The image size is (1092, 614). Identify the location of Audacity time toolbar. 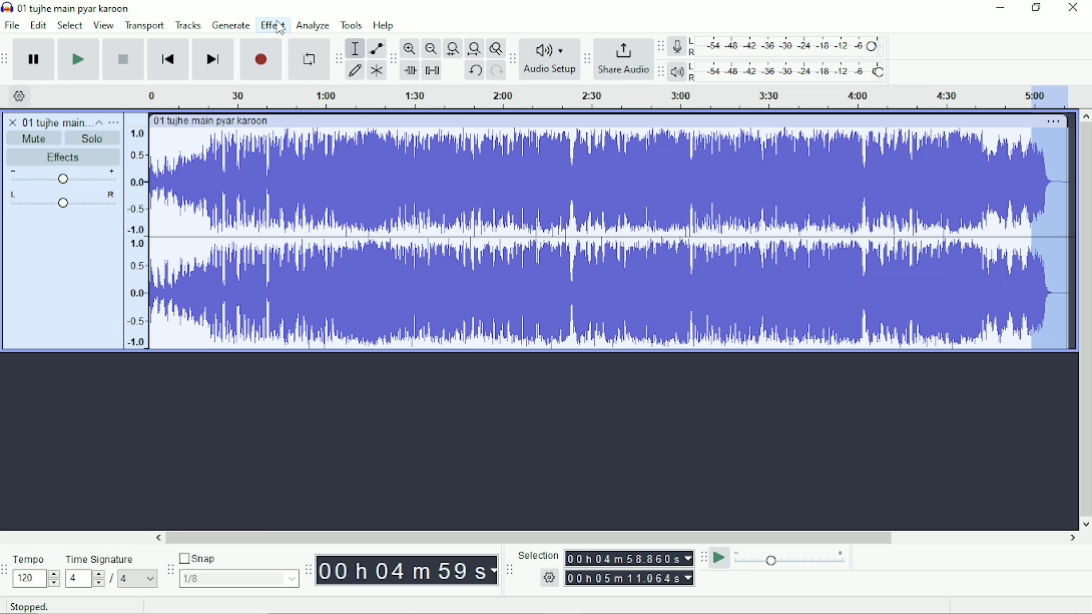
(309, 570).